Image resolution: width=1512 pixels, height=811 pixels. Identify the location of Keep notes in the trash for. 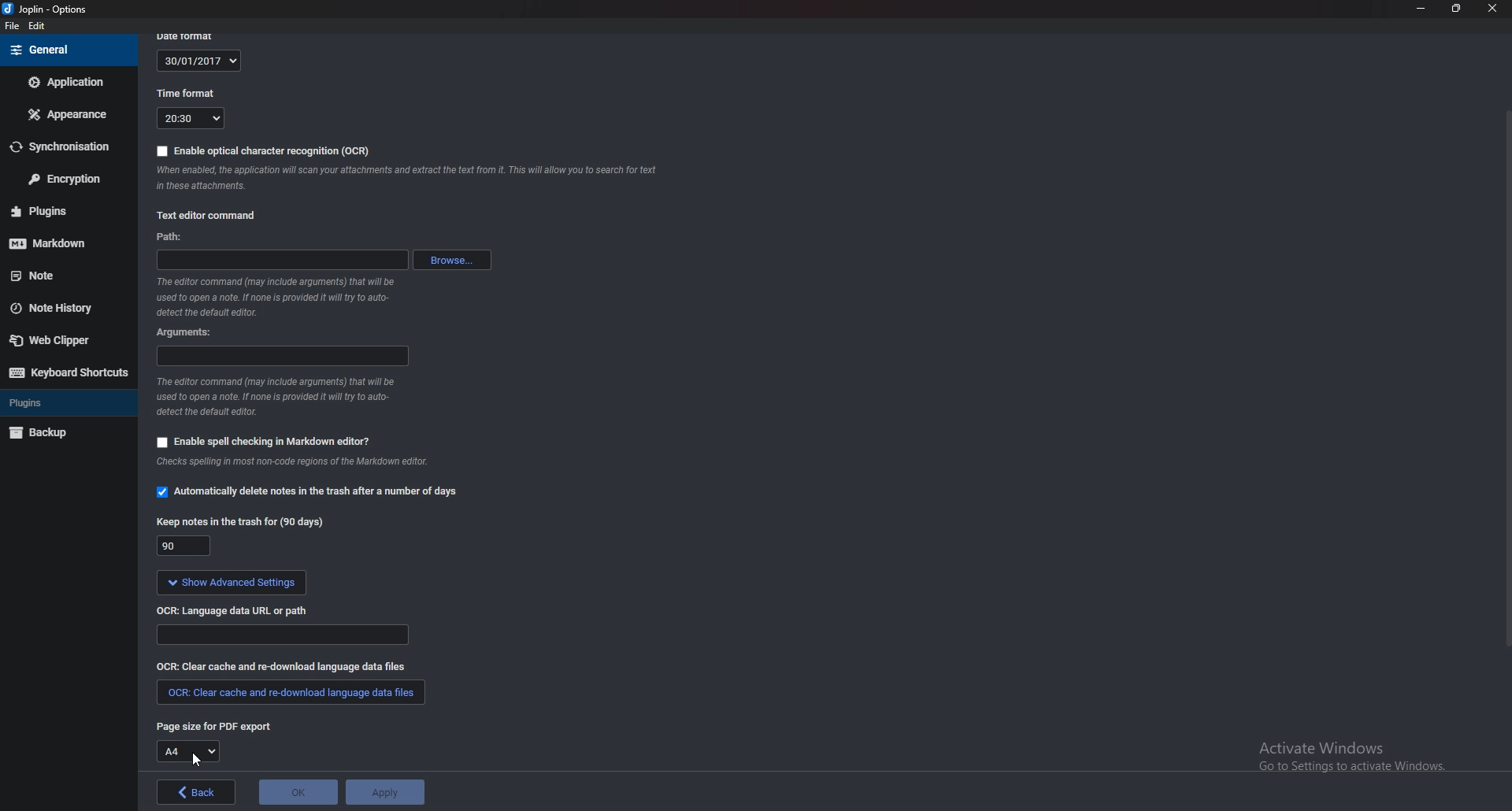
(240, 524).